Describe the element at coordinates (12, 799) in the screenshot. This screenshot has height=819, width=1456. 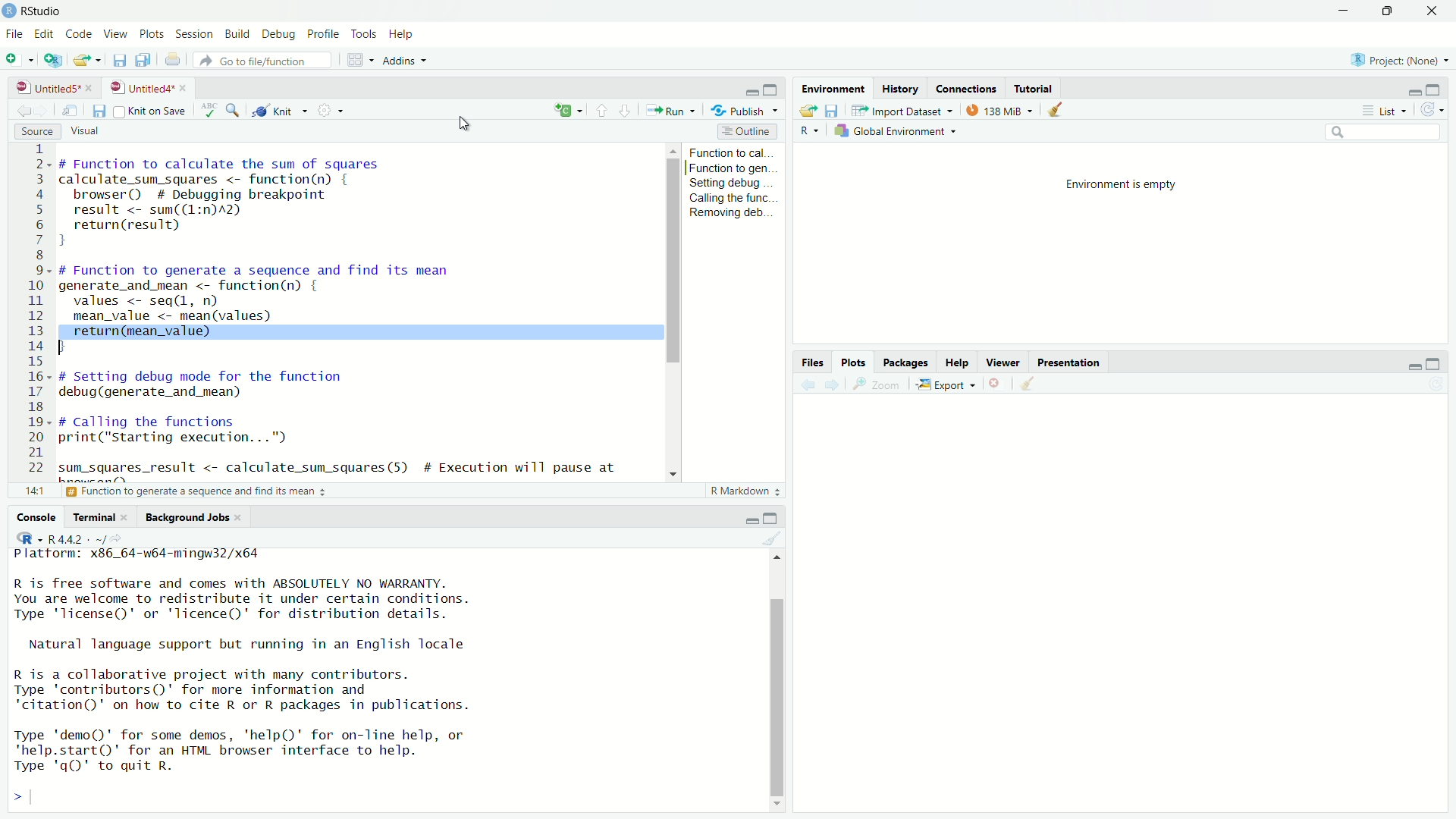
I see `prompt cursor` at that location.